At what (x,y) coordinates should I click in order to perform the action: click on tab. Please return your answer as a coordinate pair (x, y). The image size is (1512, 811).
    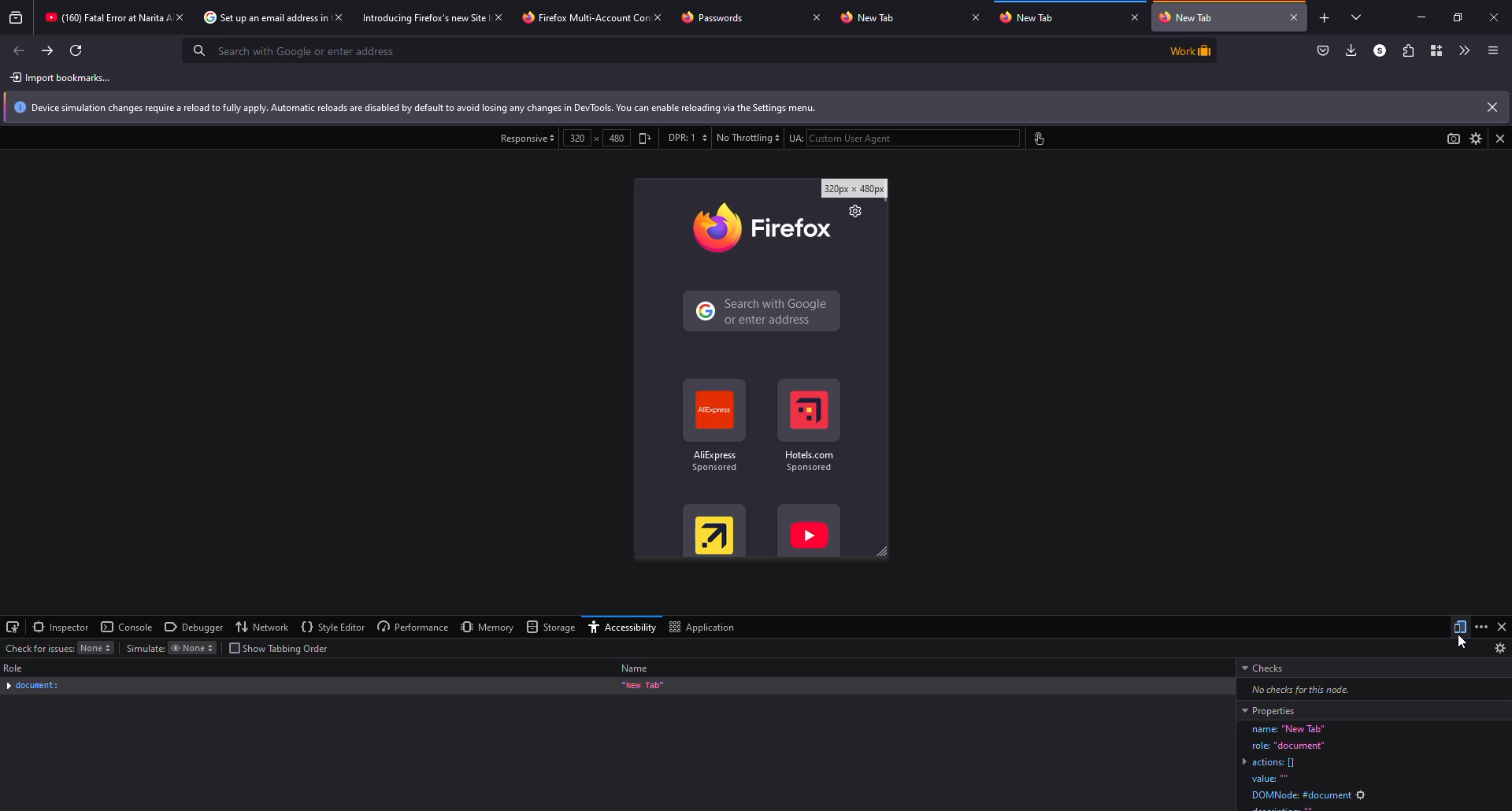
    Looking at the image, I should click on (102, 17).